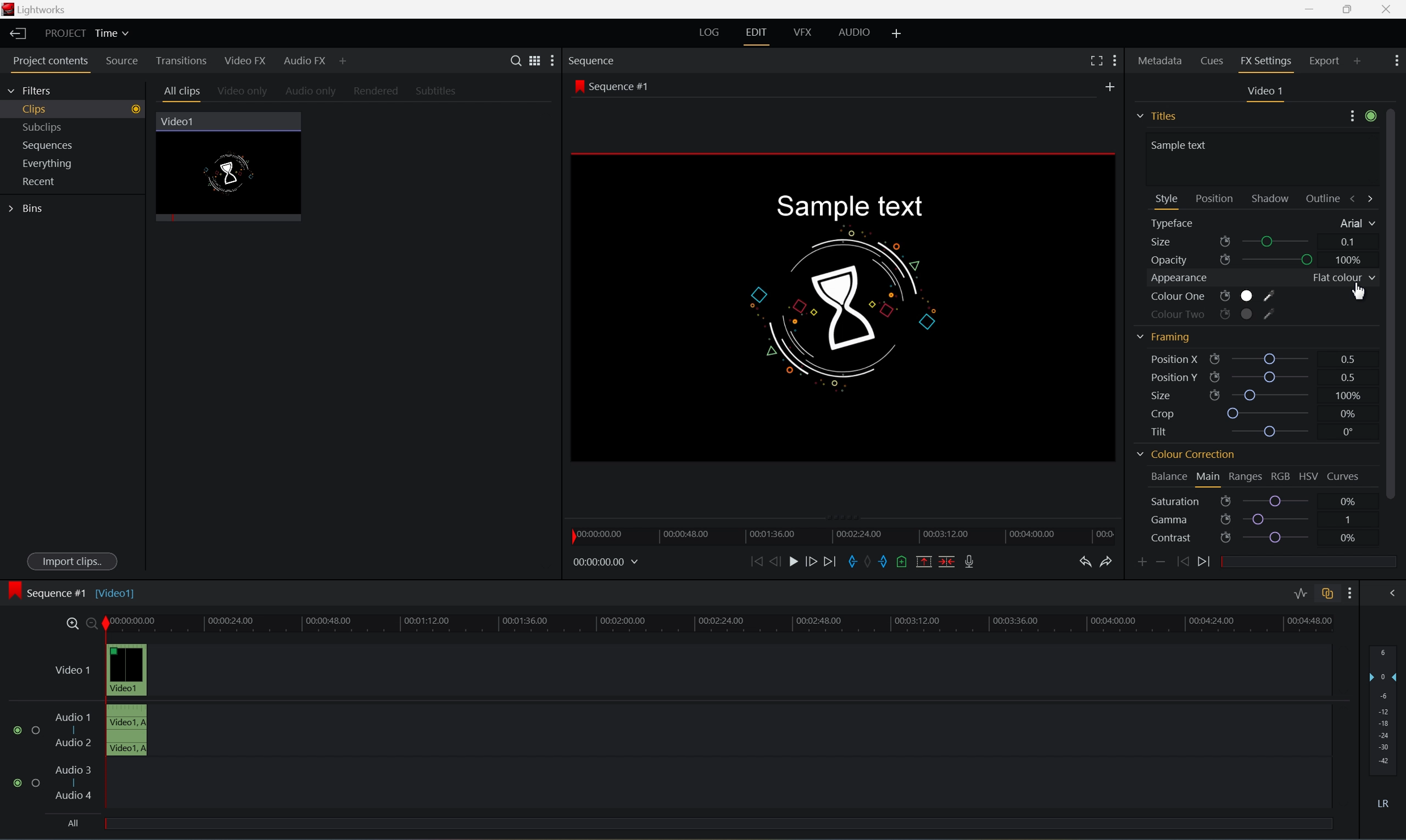 The width and height of the screenshot is (1406, 840). Describe the element at coordinates (1348, 518) in the screenshot. I see `1` at that location.